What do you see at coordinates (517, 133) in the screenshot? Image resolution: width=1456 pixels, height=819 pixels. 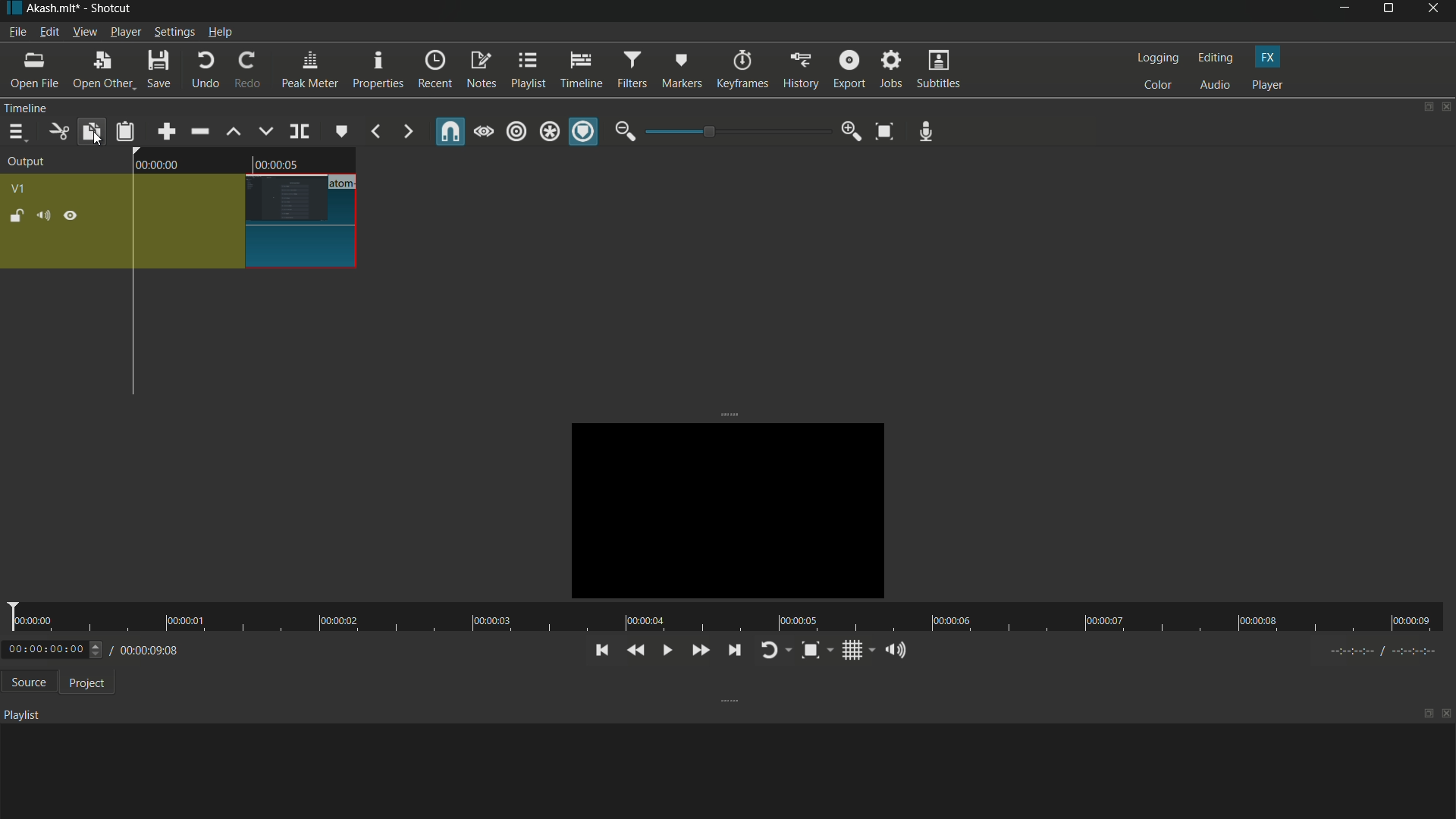 I see `ripple` at bounding box center [517, 133].